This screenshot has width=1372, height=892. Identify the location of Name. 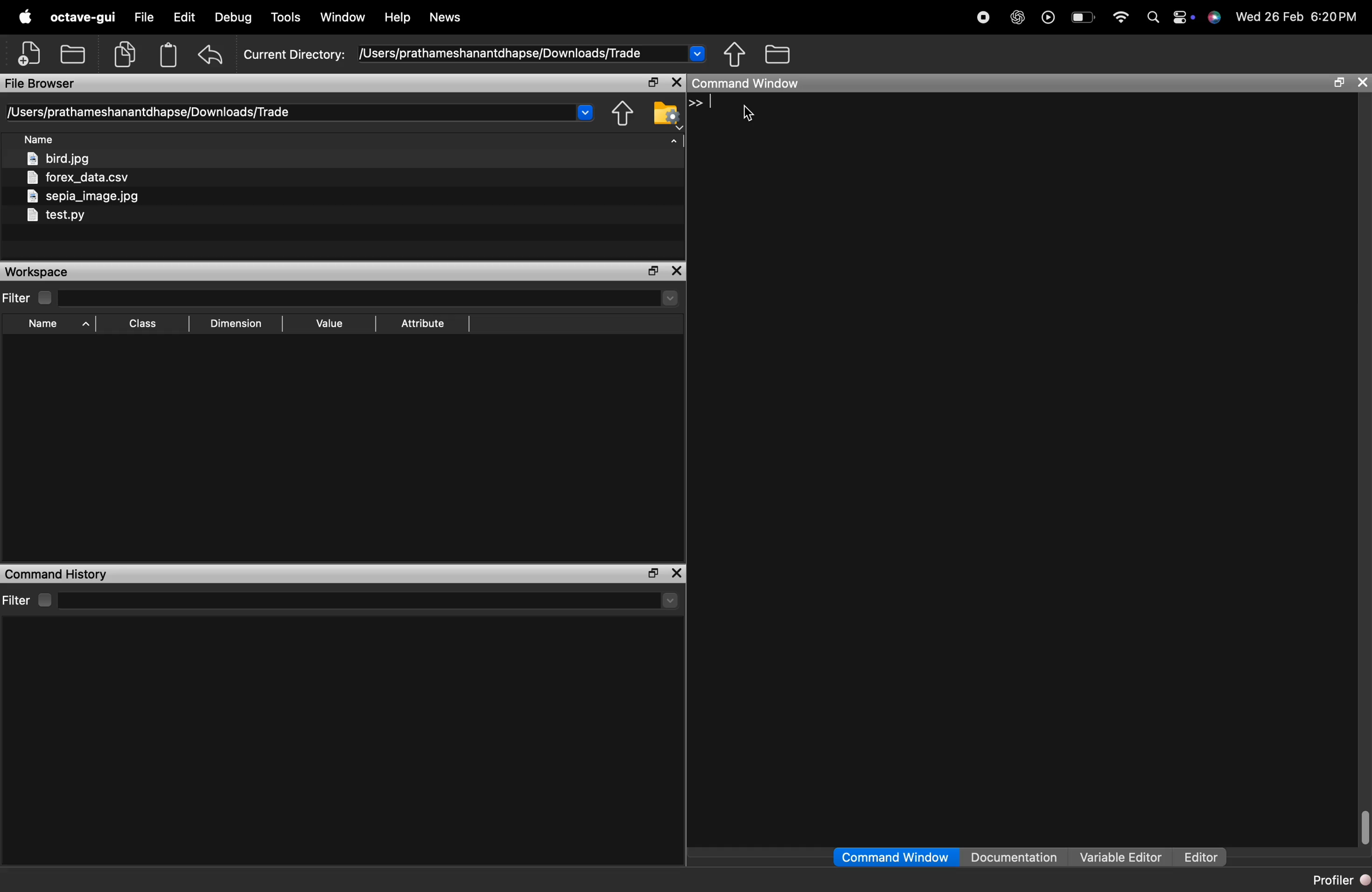
(60, 325).